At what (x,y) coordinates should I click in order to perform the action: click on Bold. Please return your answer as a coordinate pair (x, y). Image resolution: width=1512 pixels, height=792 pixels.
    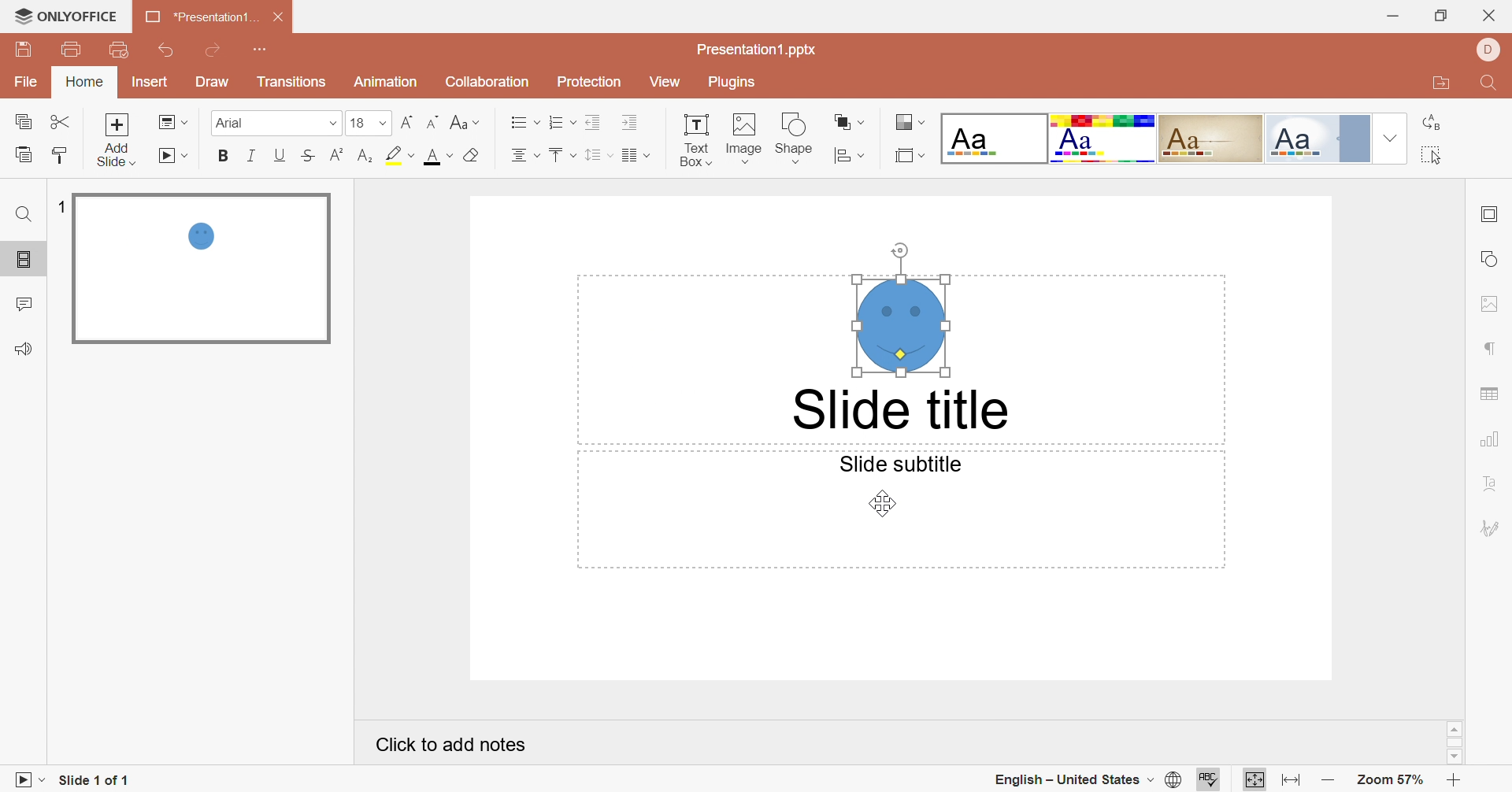
    Looking at the image, I should click on (224, 157).